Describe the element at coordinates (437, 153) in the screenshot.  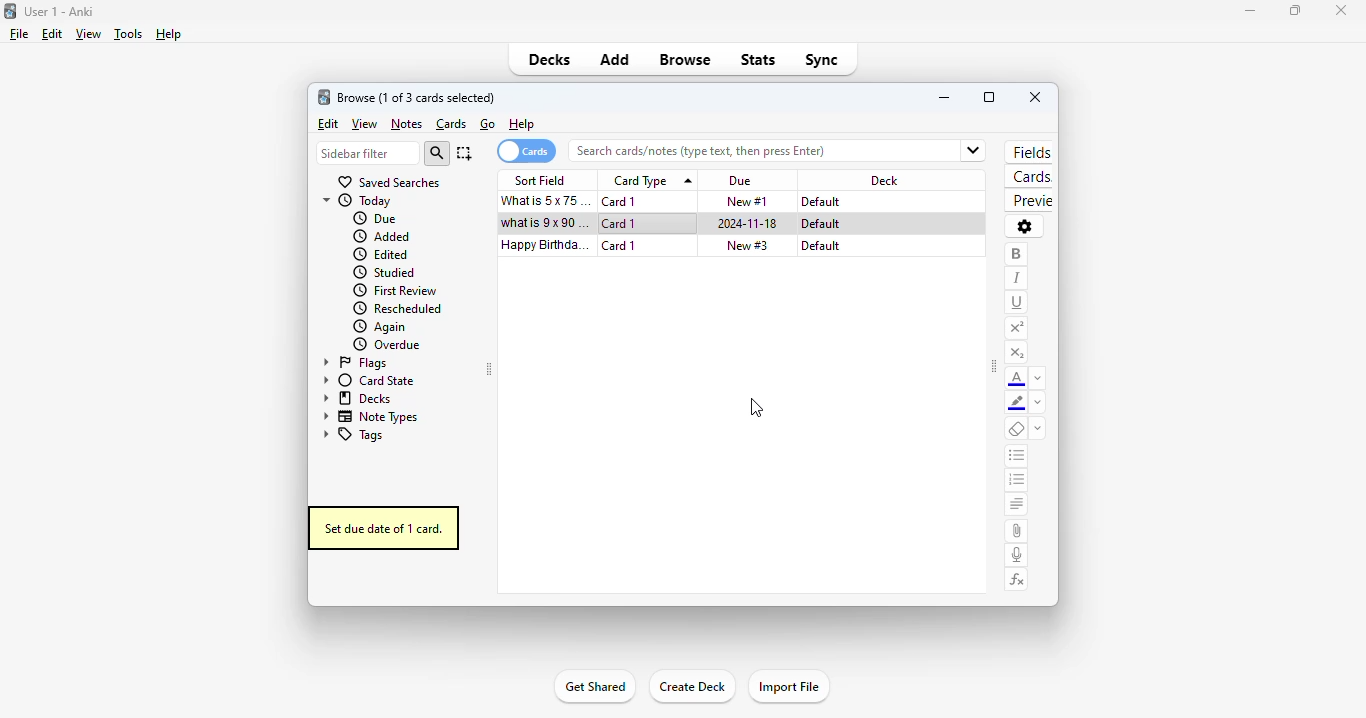
I see `search` at that location.